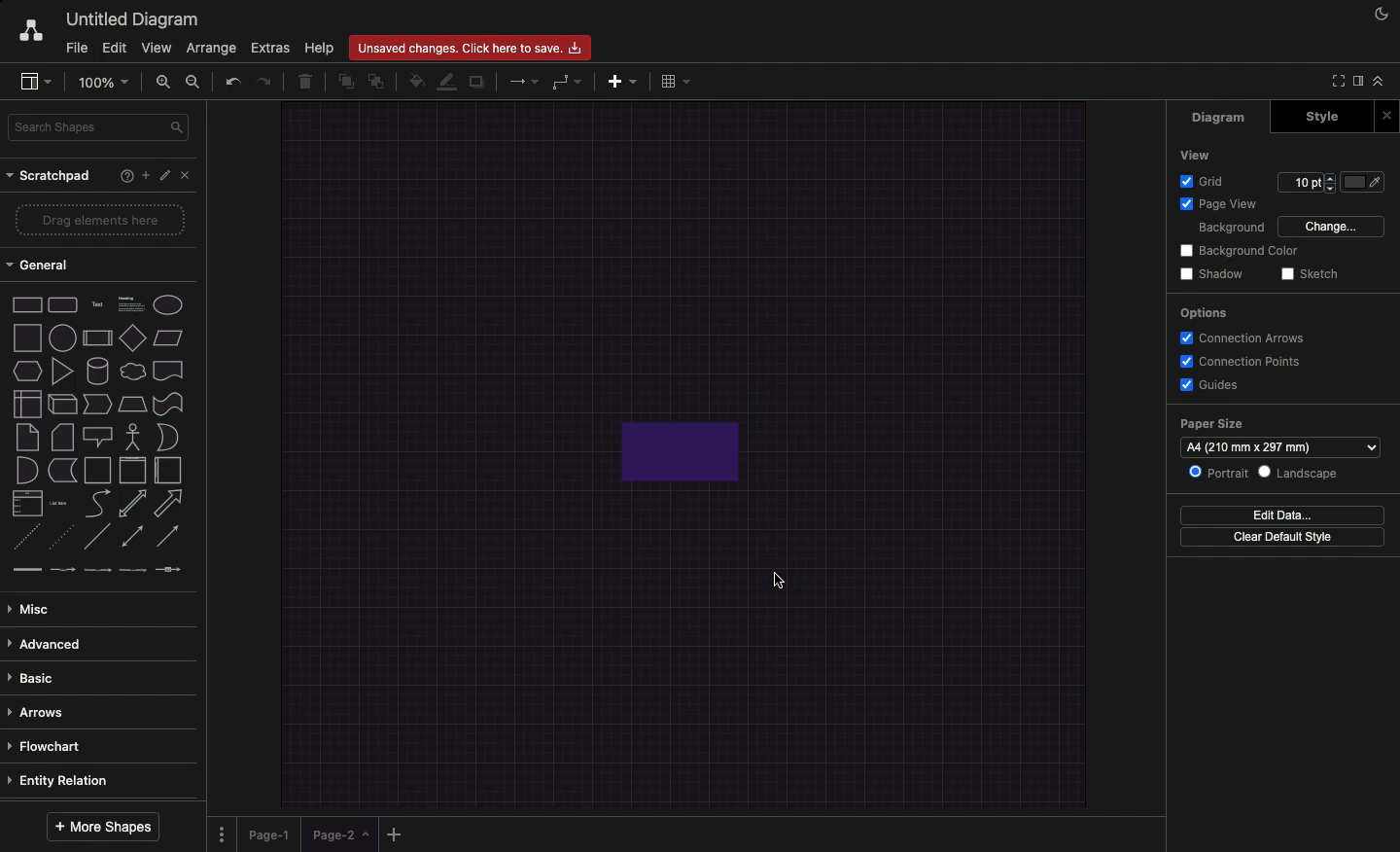 Image resolution: width=1400 pixels, height=852 pixels. What do you see at coordinates (122, 177) in the screenshot?
I see `Help` at bounding box center [122, 177].